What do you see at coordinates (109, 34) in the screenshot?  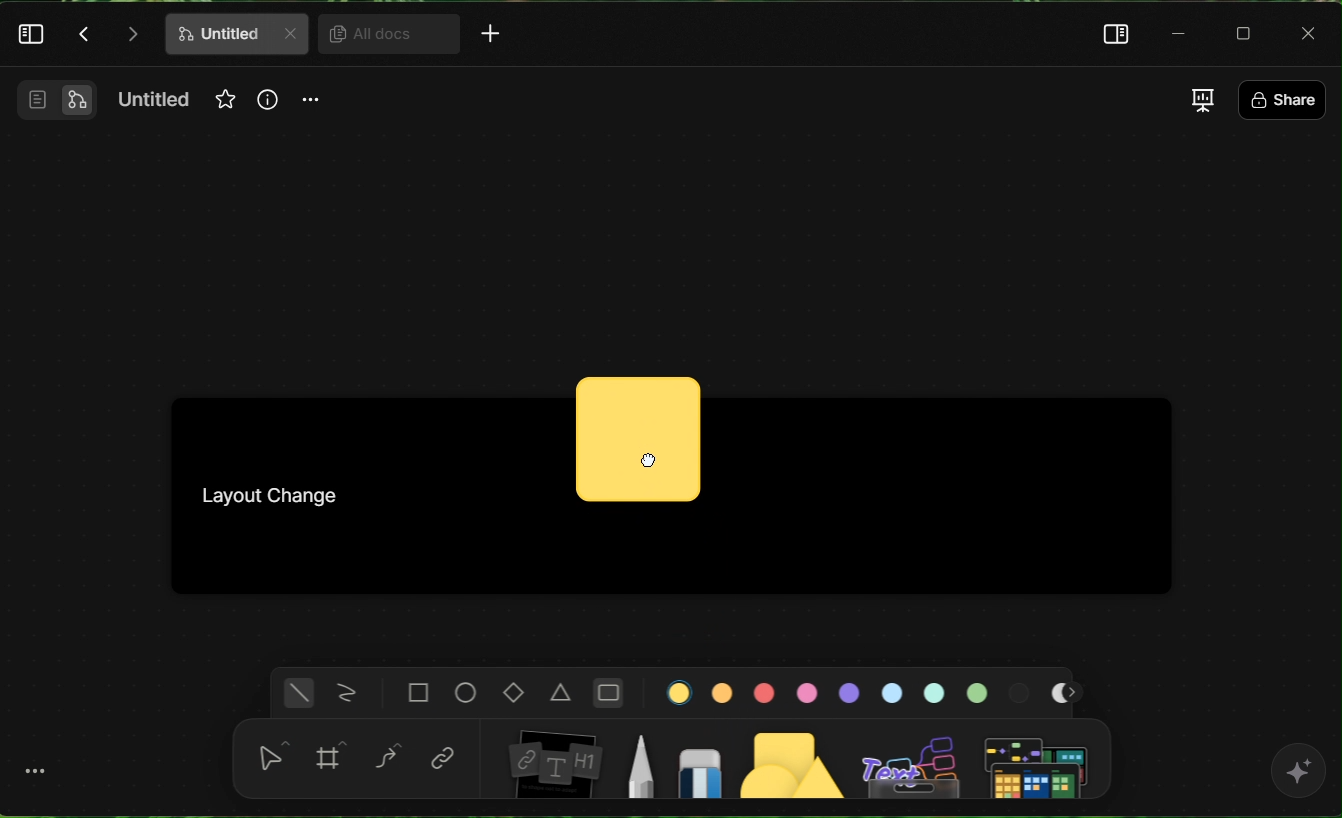 I see `Actions` at bounding box center [109, 34].